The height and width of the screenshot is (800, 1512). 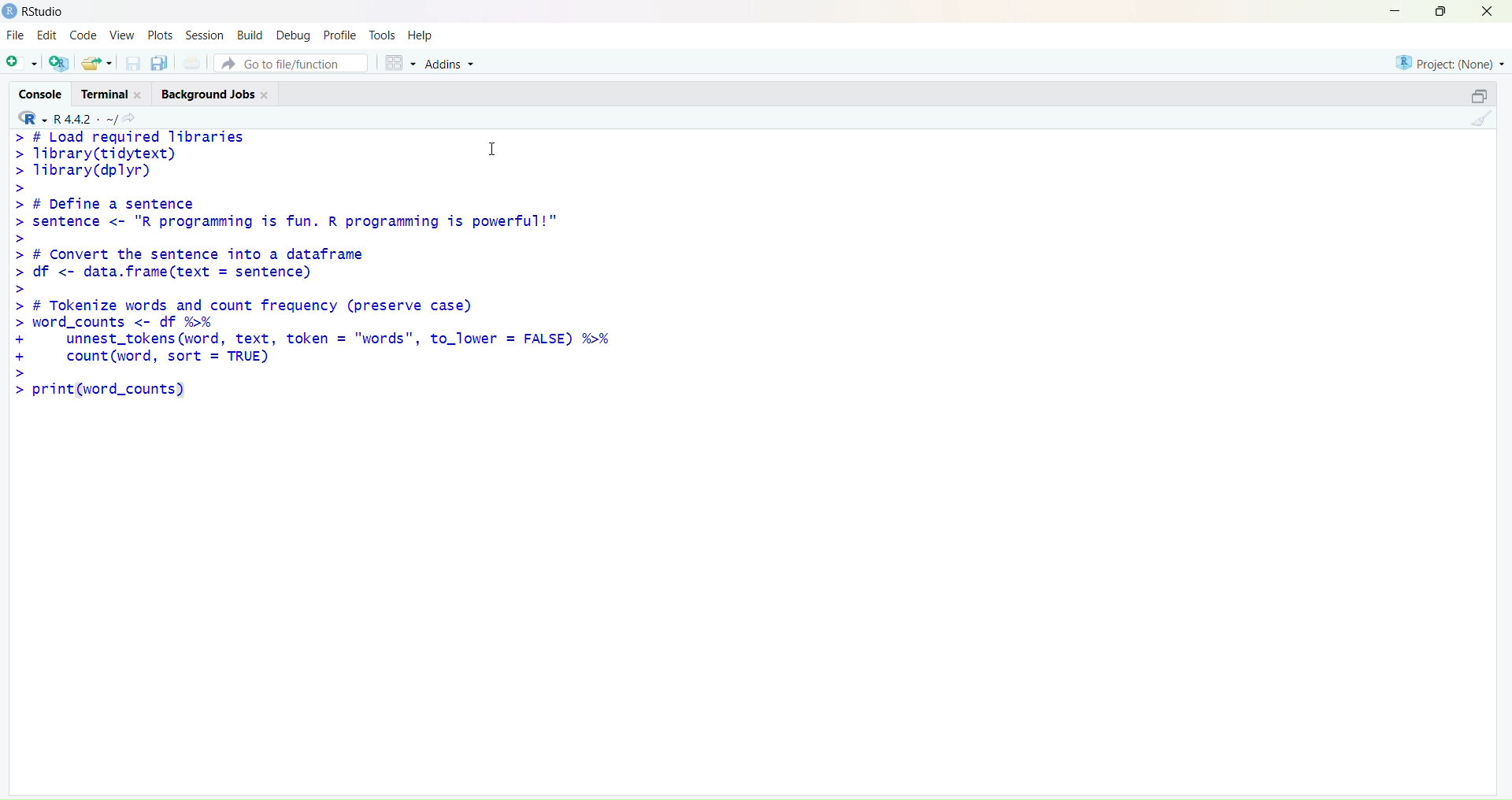 I want to click on code, so click(x=87, y=36).